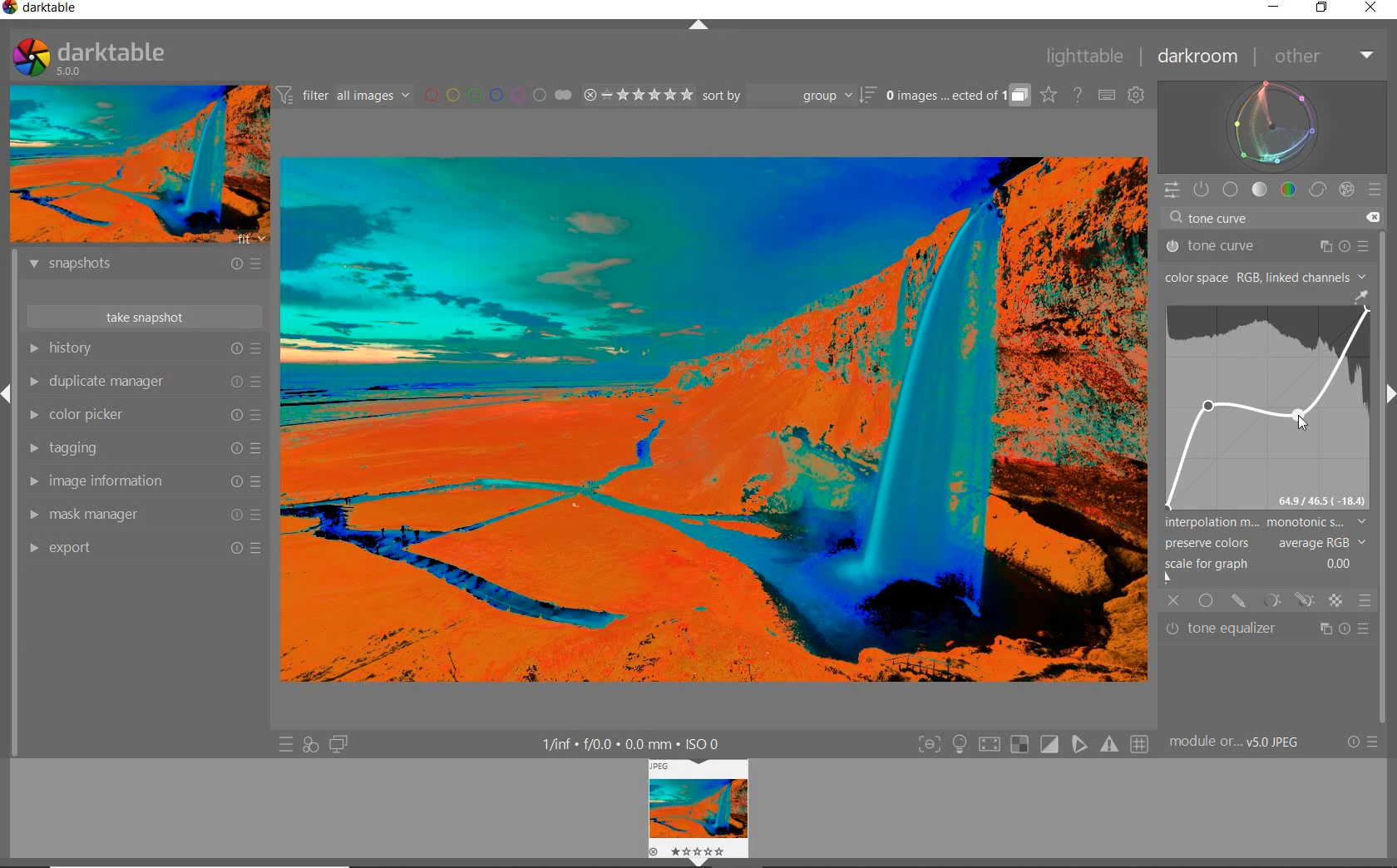  I want to click on SET KEYBOARD SHORTCUTS, so click(1108, 96).